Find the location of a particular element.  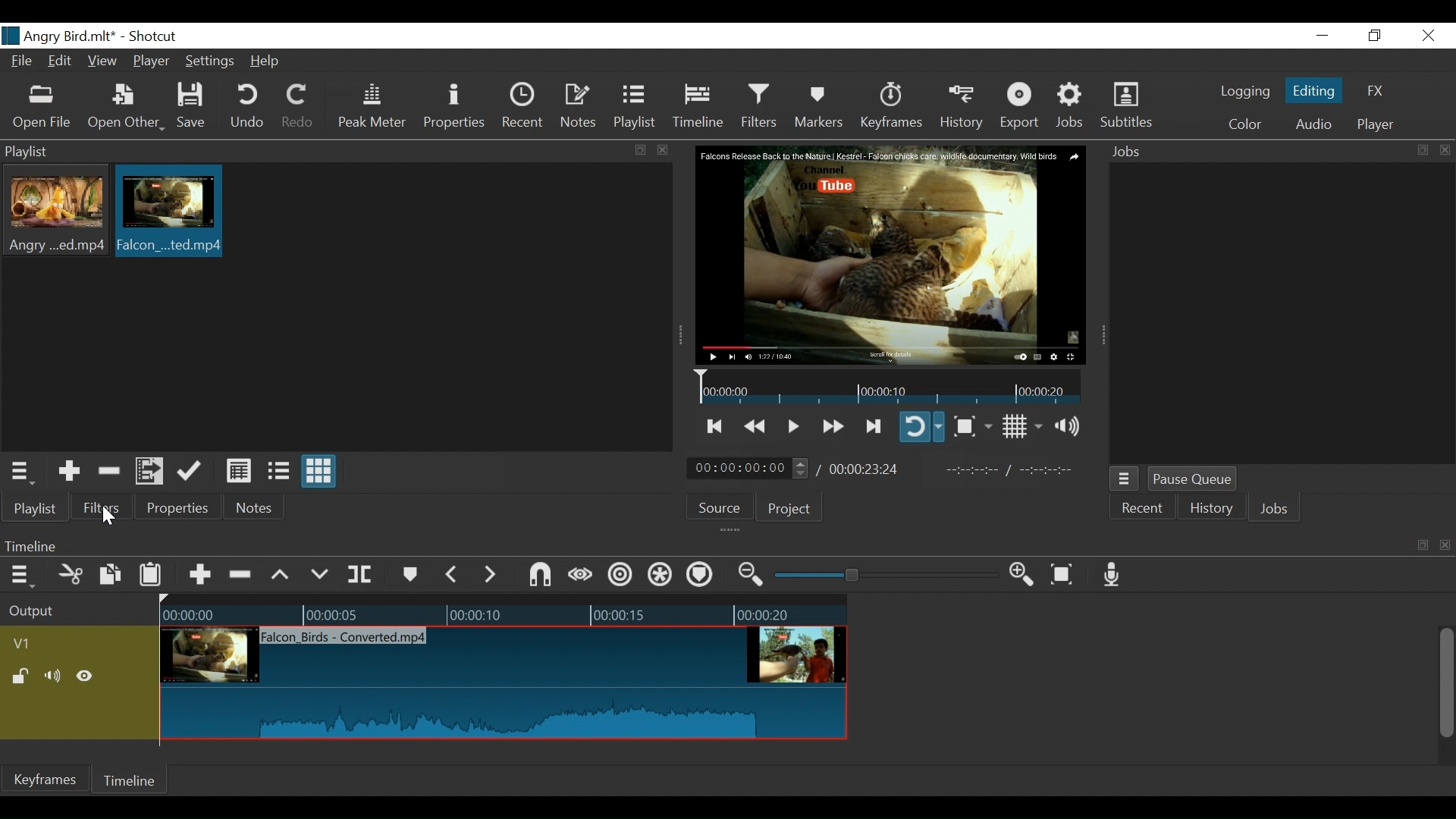

Zoom slider is located at coordinates (889, 575).